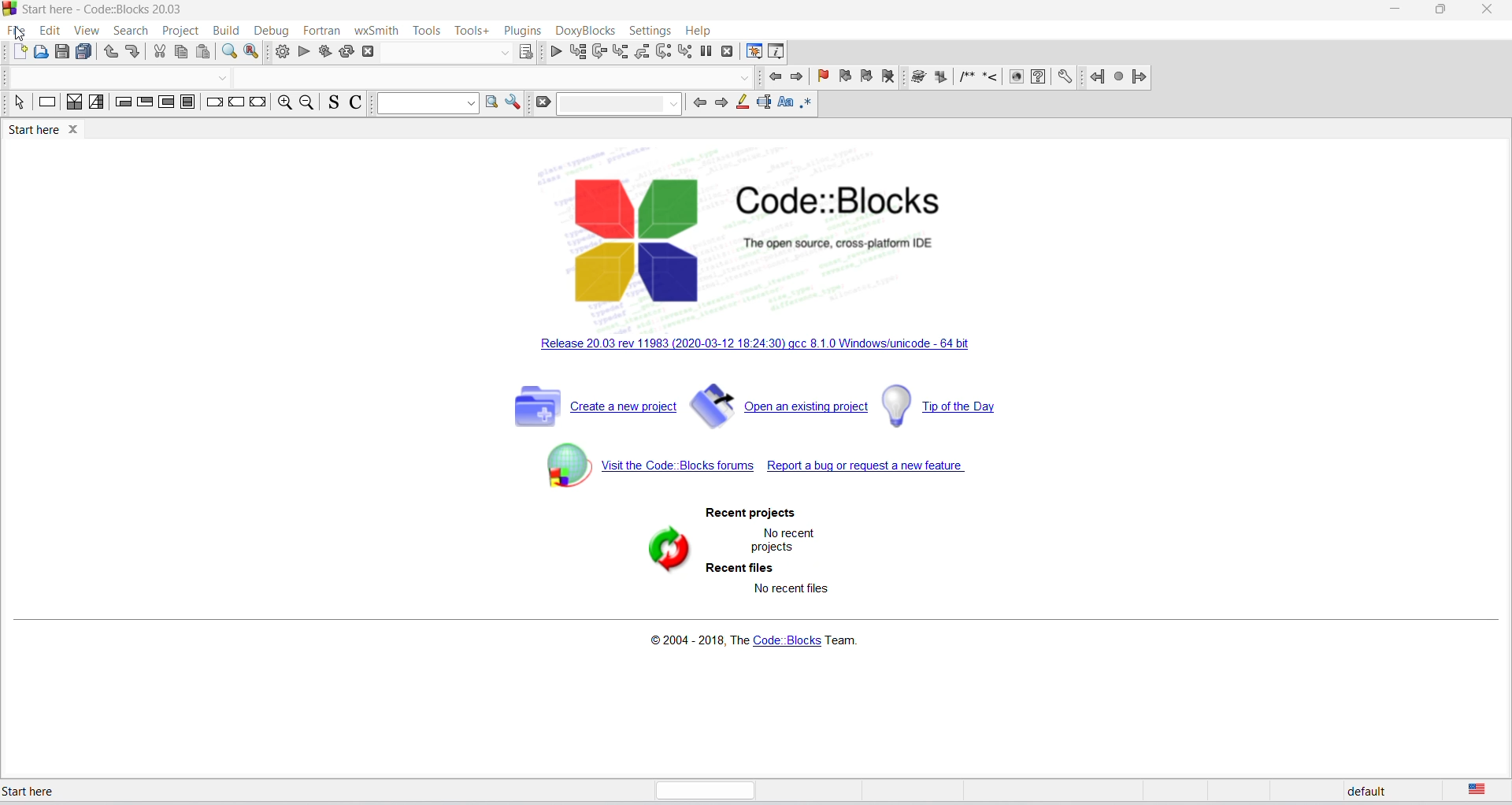 This screenshot has width=1512, height=805. What do you see at coordinates (797, 593) in the screenshot?
I see `no recent files` at bounding box center [797, 593].